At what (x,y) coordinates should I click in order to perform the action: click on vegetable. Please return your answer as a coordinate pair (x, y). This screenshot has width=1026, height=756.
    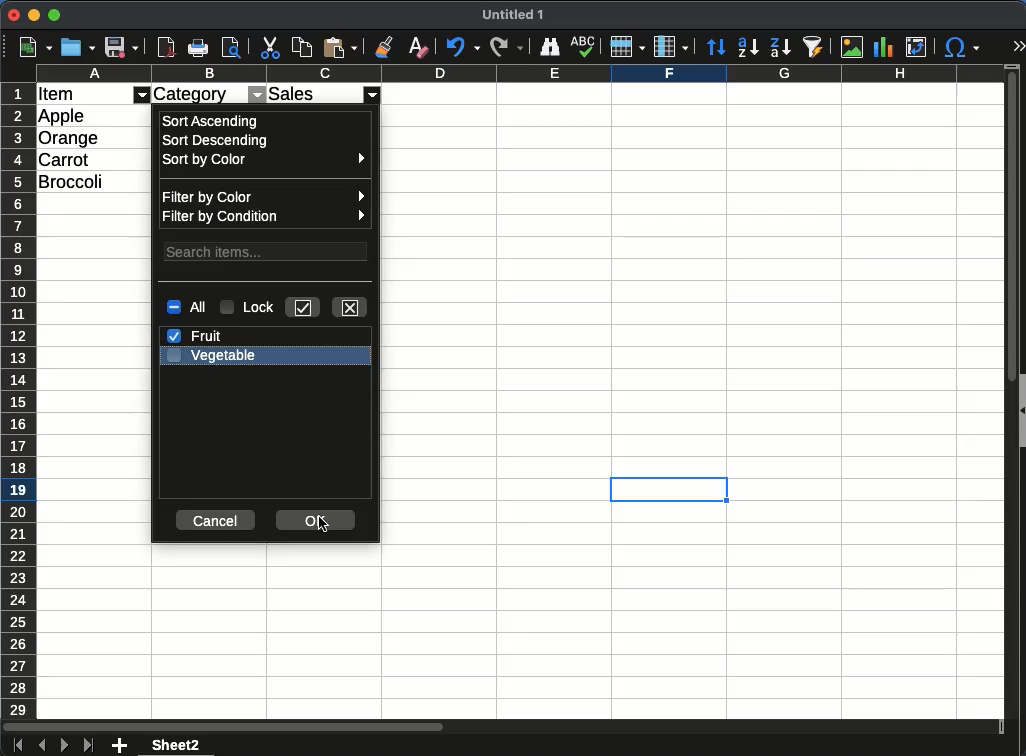
    Looking at the image, I should click on (222, 355).